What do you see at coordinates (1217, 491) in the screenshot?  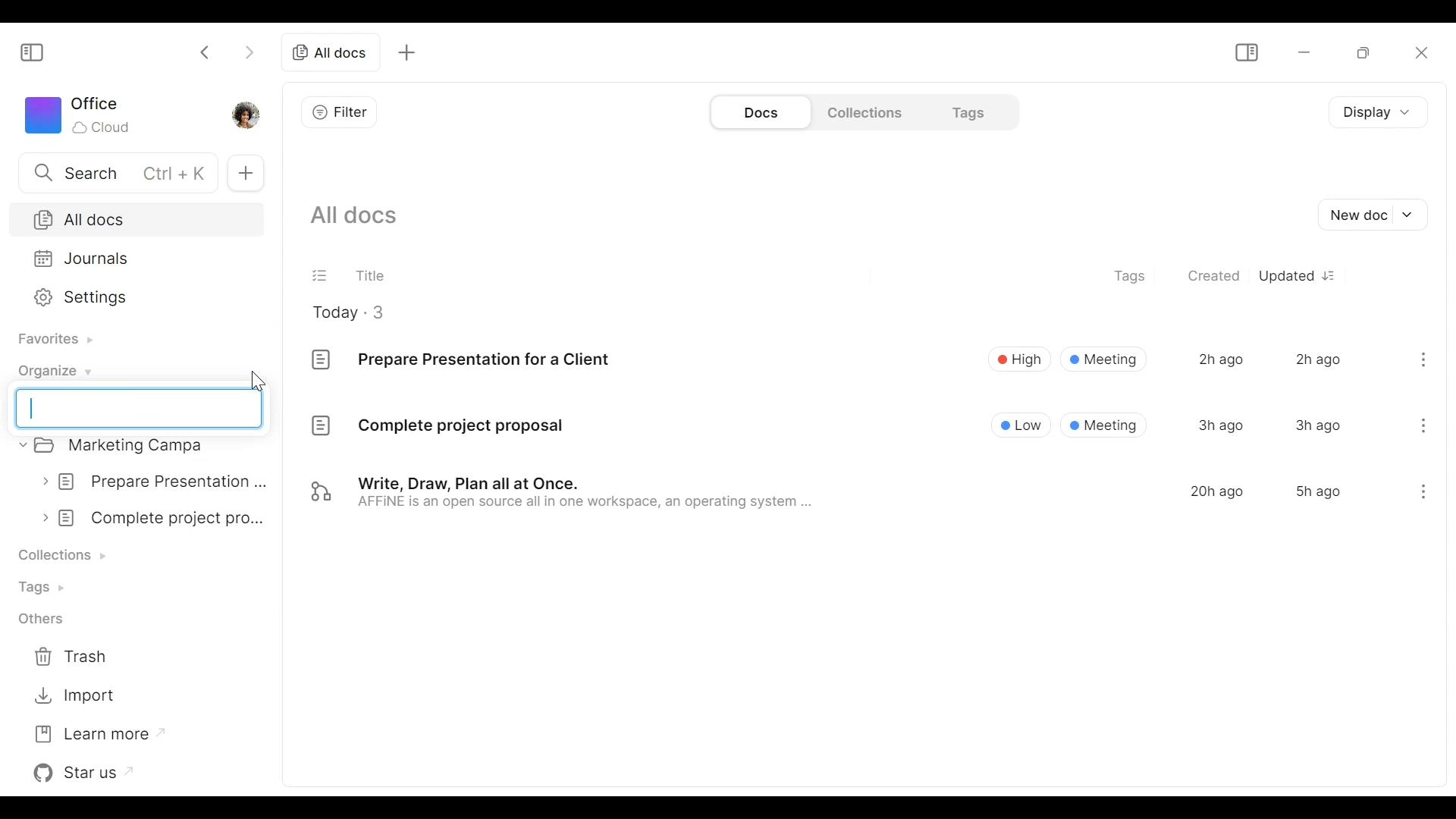 I see `20h ago` at bounding box center [1217, 491].